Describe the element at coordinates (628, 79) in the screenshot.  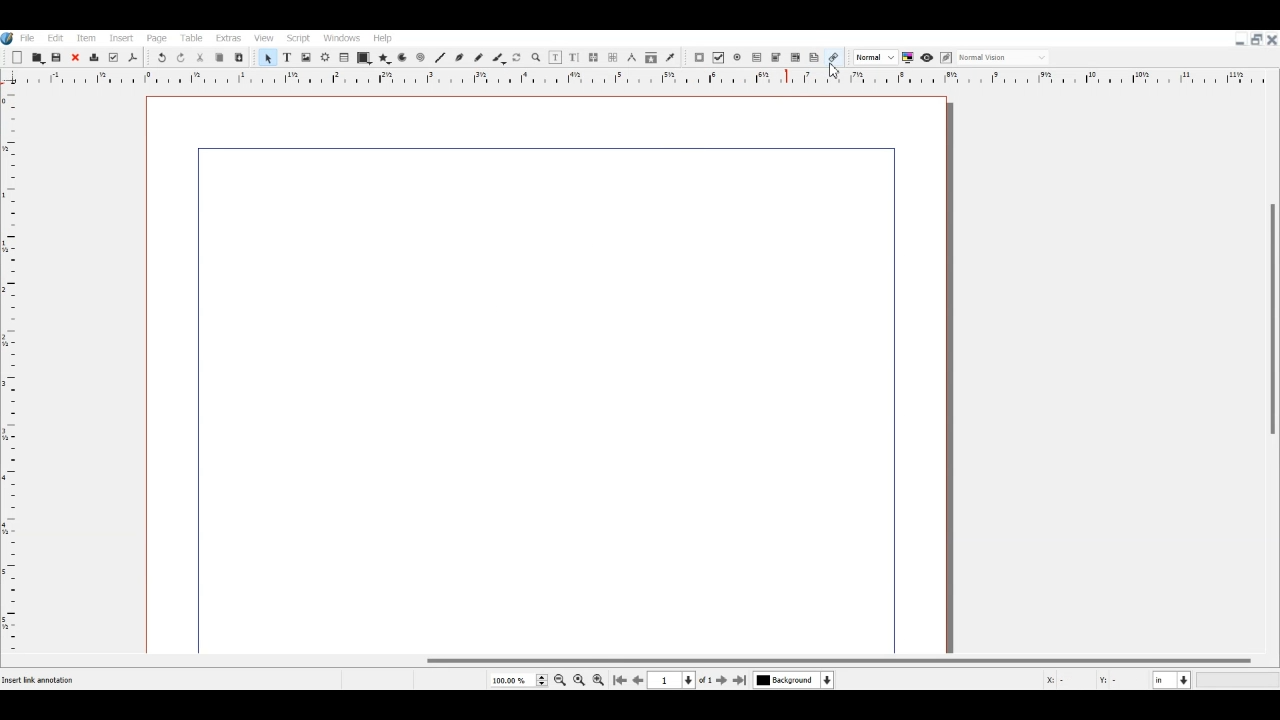
I see `Vertical scale` at that location.